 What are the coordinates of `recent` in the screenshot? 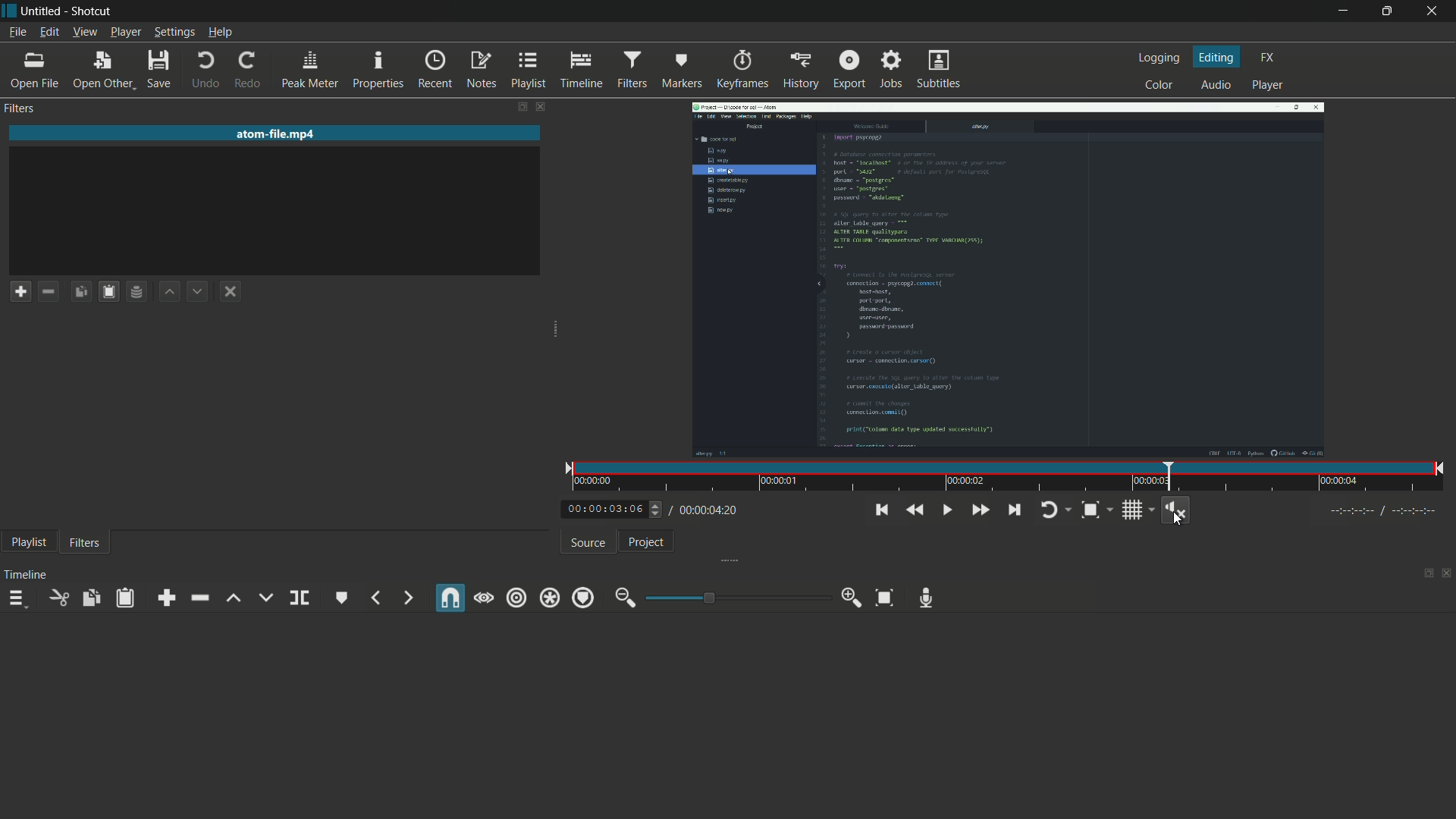 It's located at (434, 71).